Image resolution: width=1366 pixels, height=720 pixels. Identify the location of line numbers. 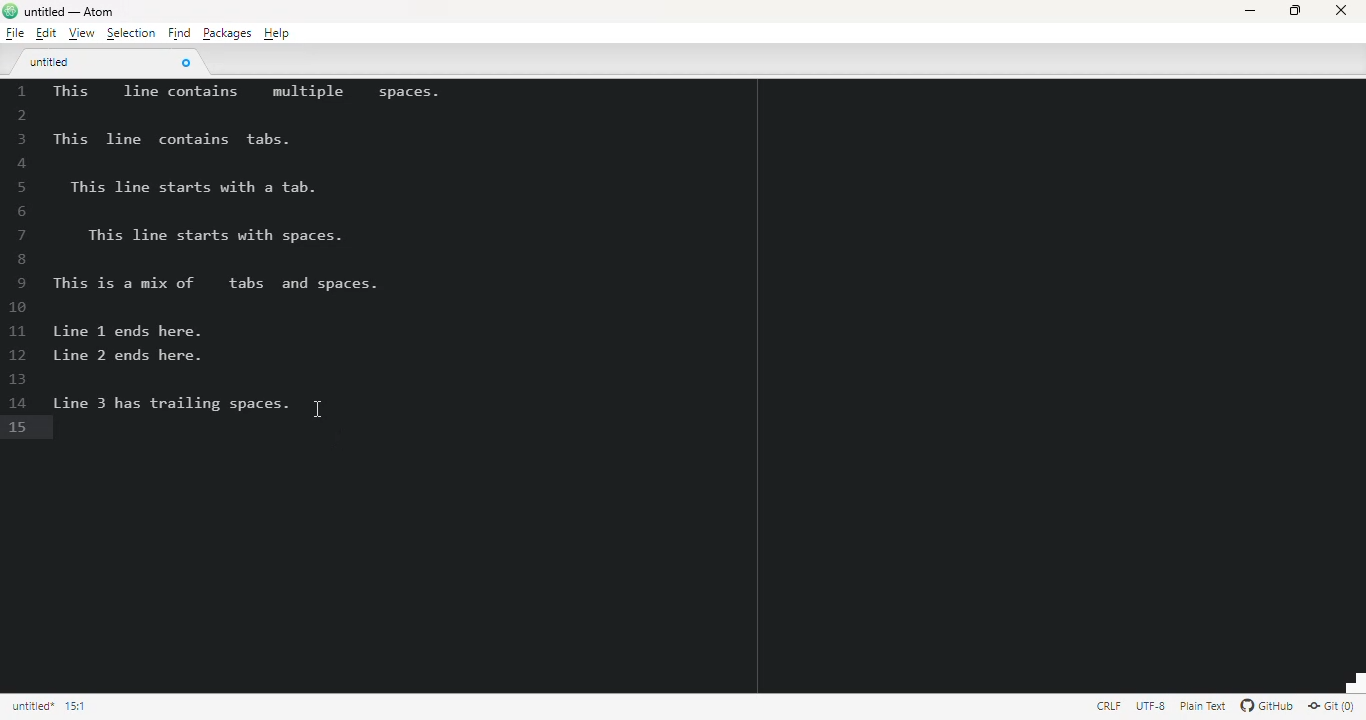
(20, 260).